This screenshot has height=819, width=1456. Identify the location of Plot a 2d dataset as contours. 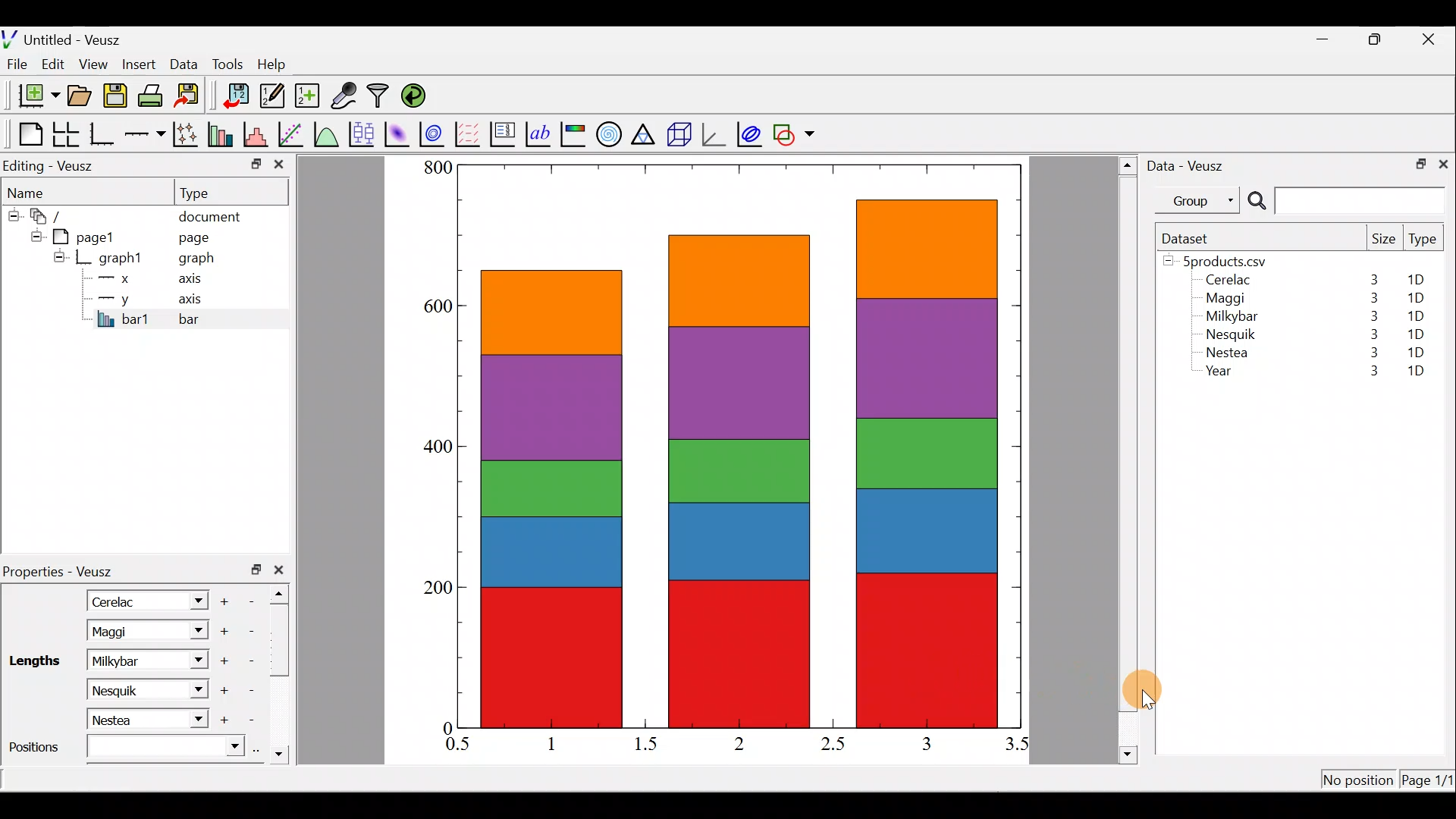
(435, 133).